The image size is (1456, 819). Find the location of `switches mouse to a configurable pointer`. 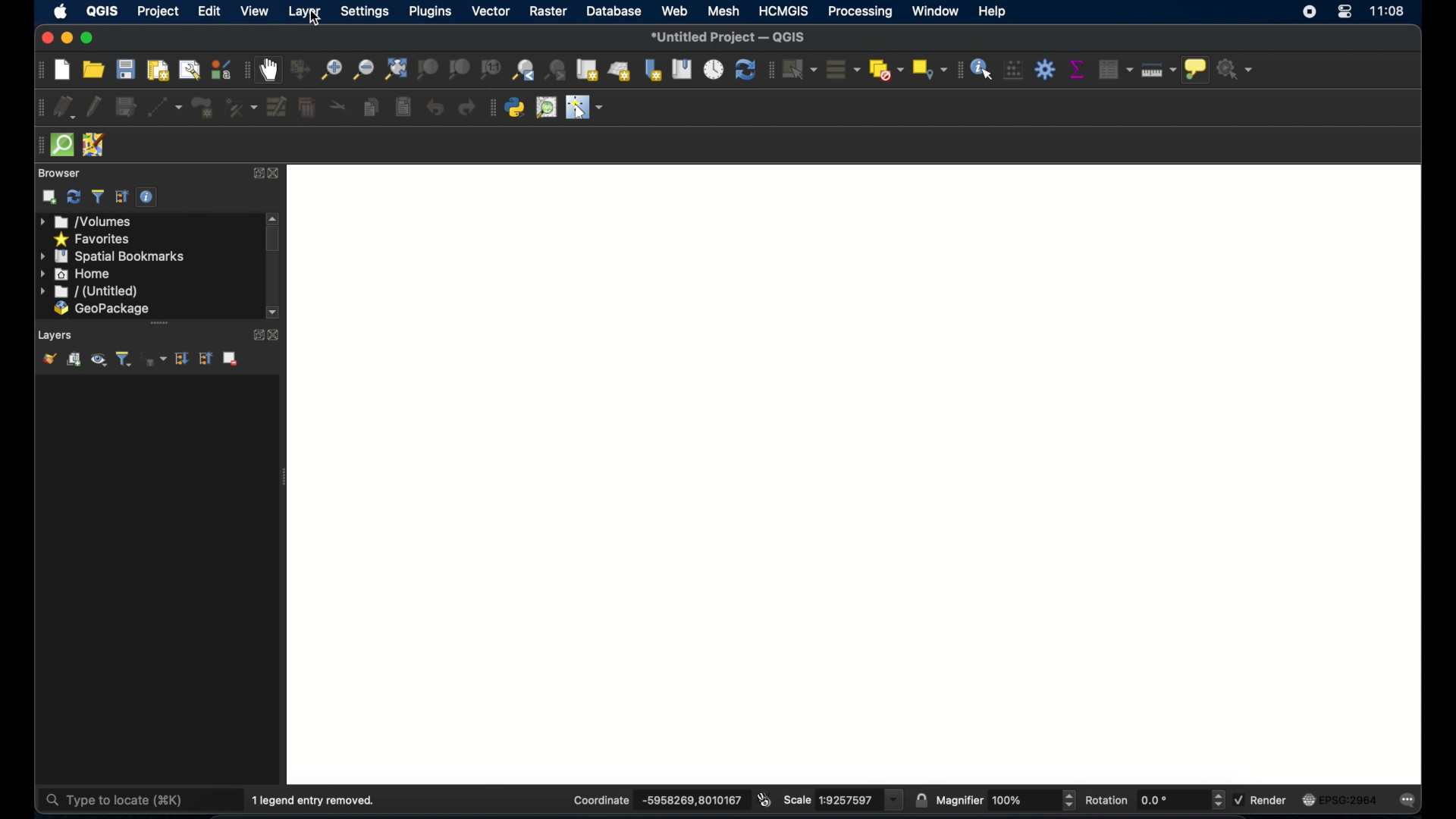

switches mouse to a configurable pointer is located at coordinates (588, 109).